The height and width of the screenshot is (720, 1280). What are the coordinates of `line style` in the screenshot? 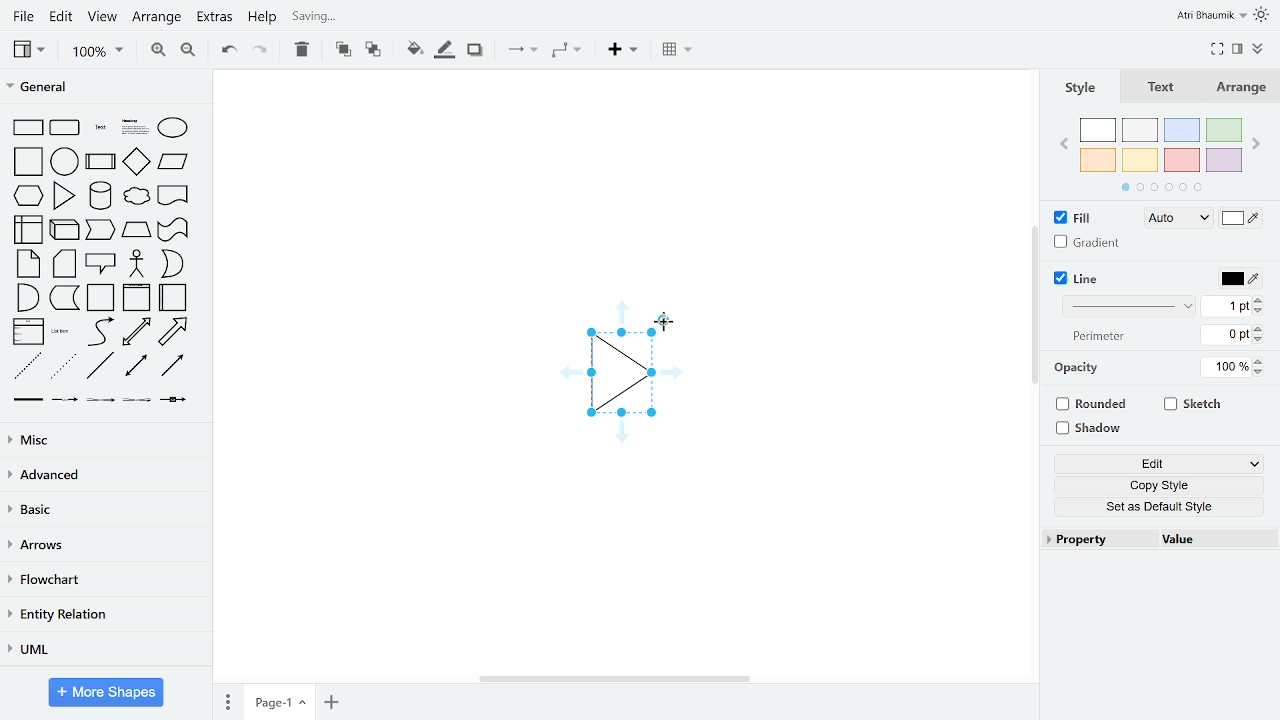 It's located at (1129, 307).